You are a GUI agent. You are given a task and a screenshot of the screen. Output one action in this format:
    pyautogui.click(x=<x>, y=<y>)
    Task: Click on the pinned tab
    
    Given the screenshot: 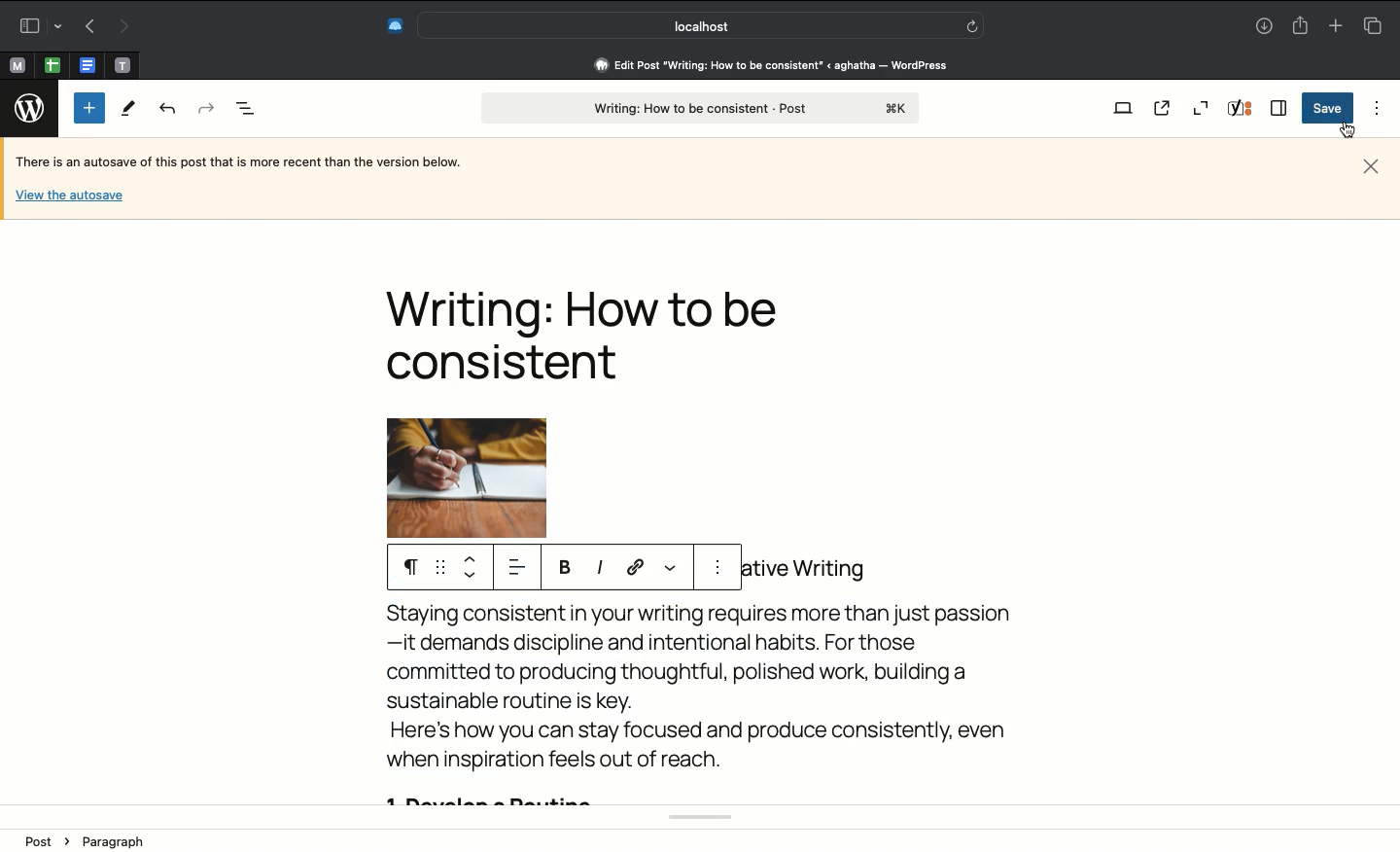 What is the action you would take?
    pyautogui.click(x=16, y=63)
    